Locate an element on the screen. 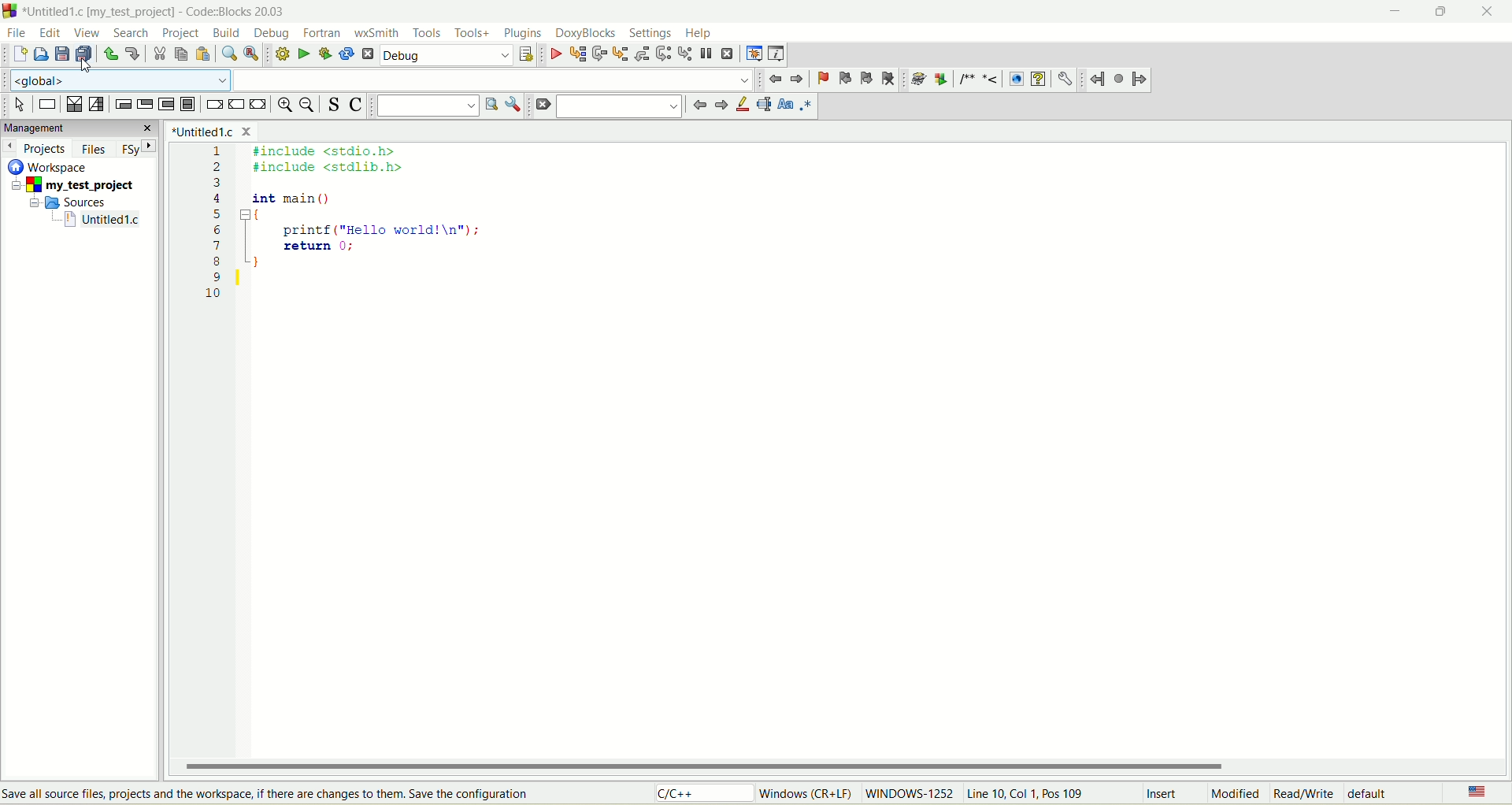  projects is located at coordinates (39, 150).